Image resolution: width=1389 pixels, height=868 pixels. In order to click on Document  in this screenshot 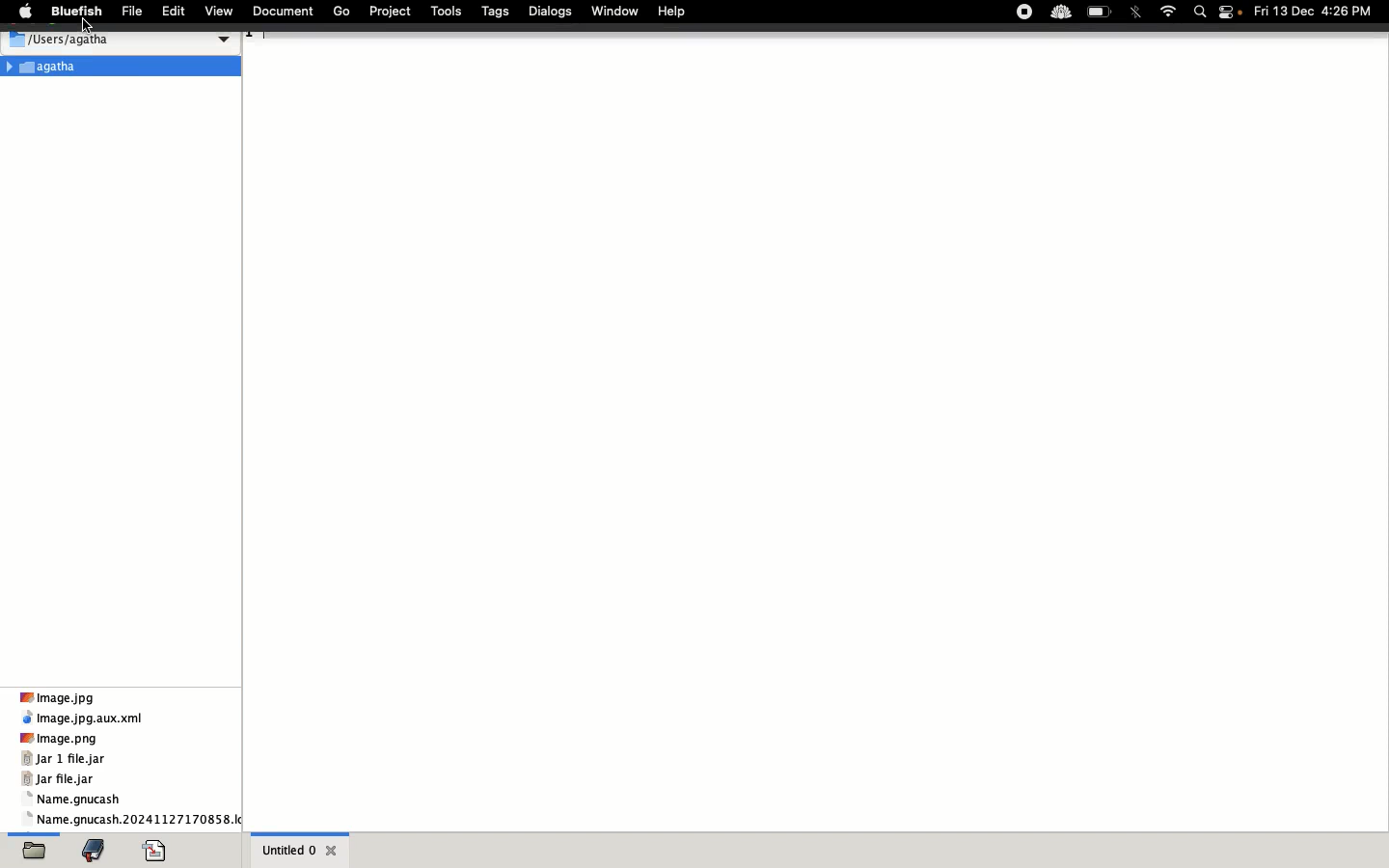, I will do `click(286, 13)`.